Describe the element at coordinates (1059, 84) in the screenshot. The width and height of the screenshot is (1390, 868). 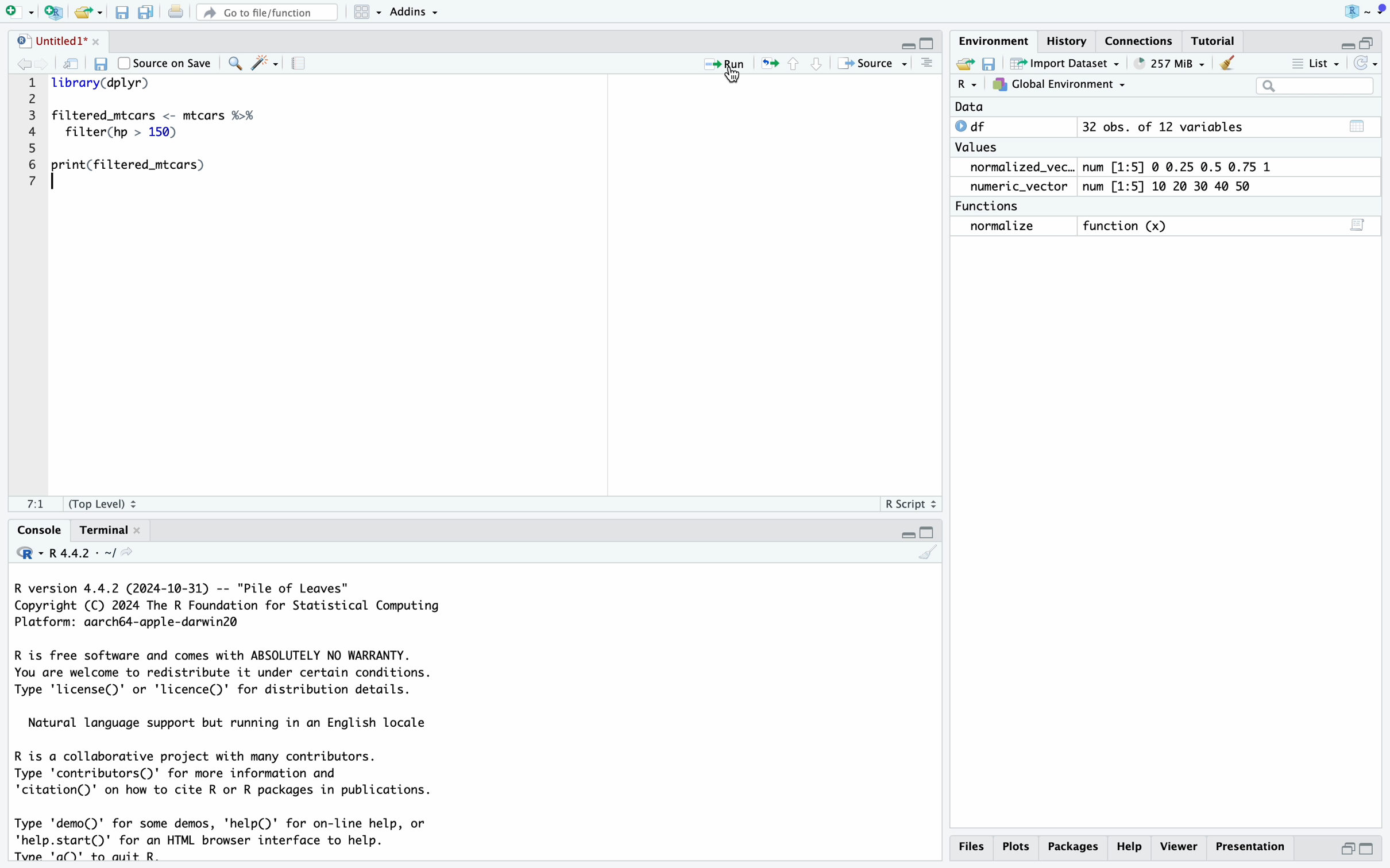
I see `Global Environment` at that location.